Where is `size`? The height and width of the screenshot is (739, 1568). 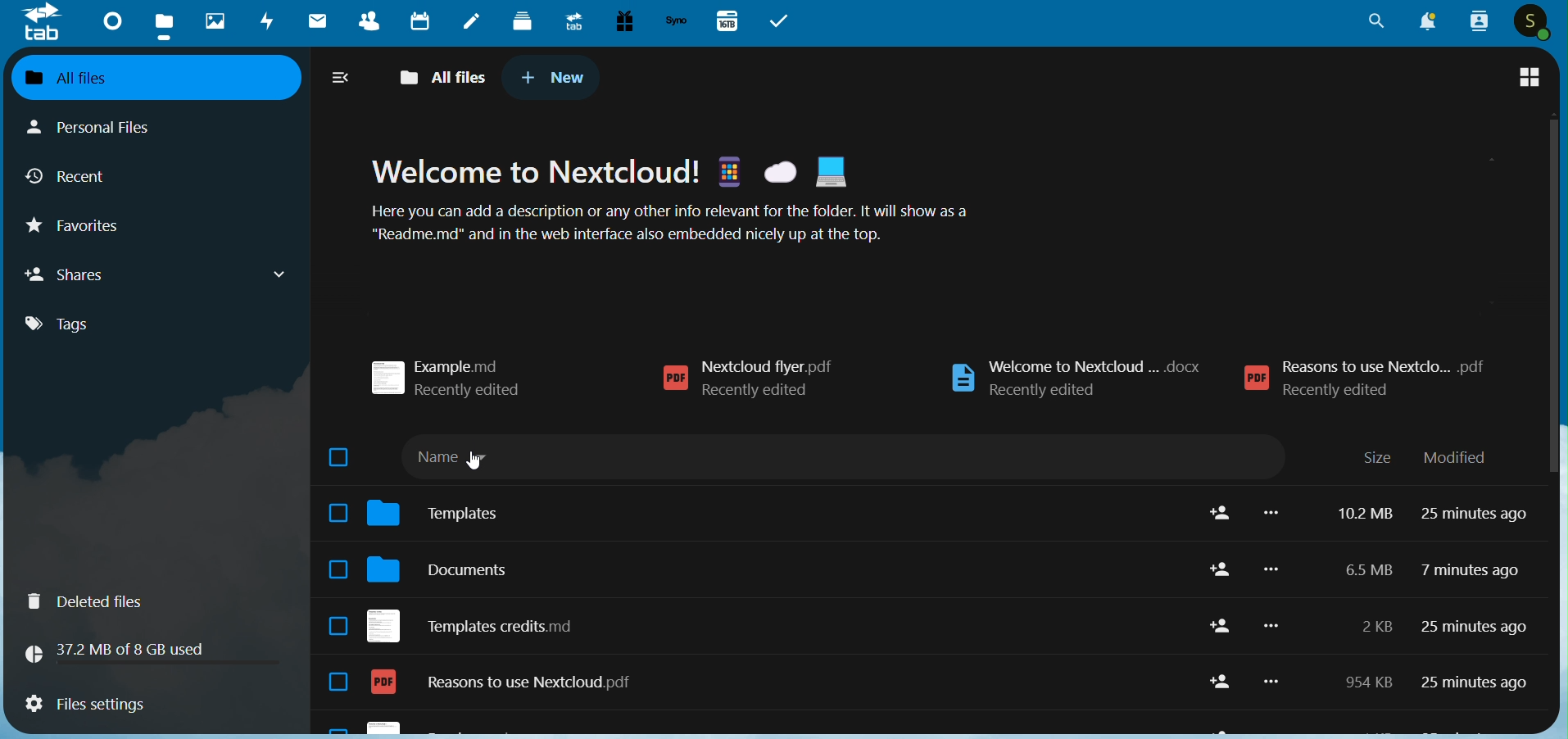
size is located at coordinates (1380, 456).